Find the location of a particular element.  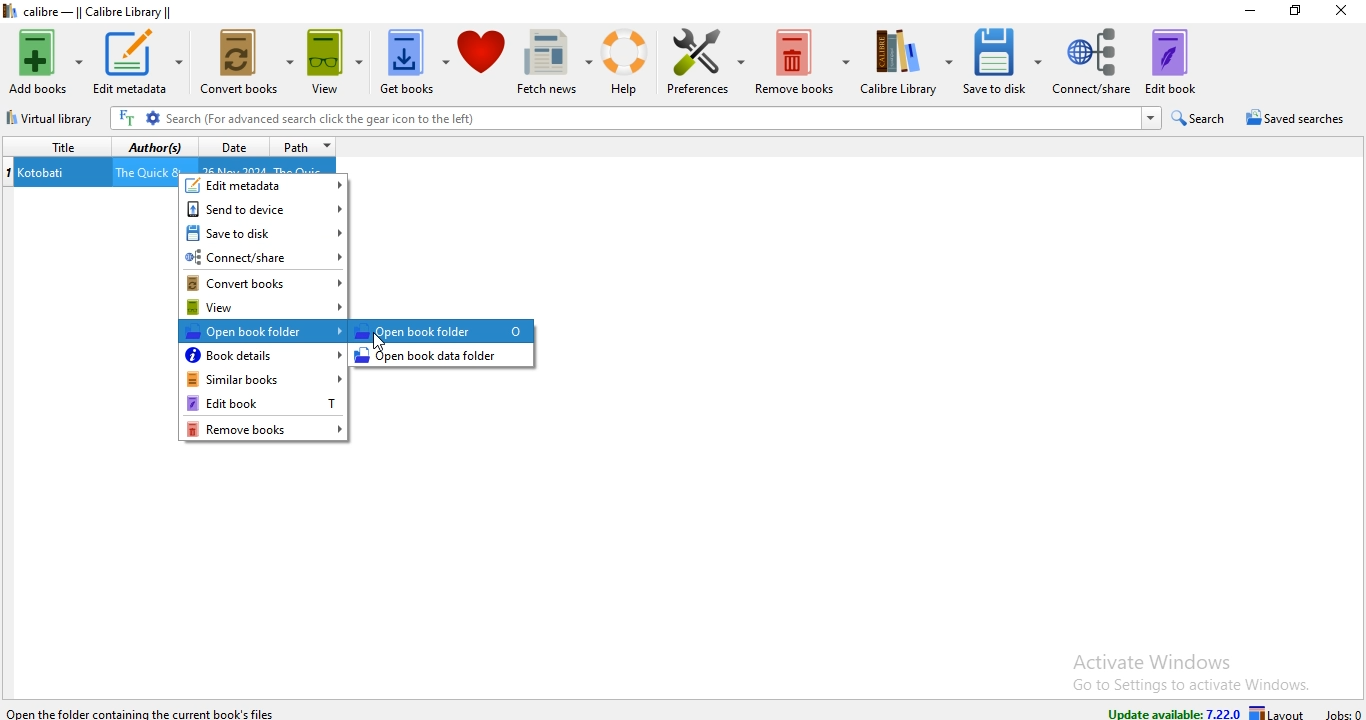

Open the folder containing the current book files. is located at coordinates (149, 712).